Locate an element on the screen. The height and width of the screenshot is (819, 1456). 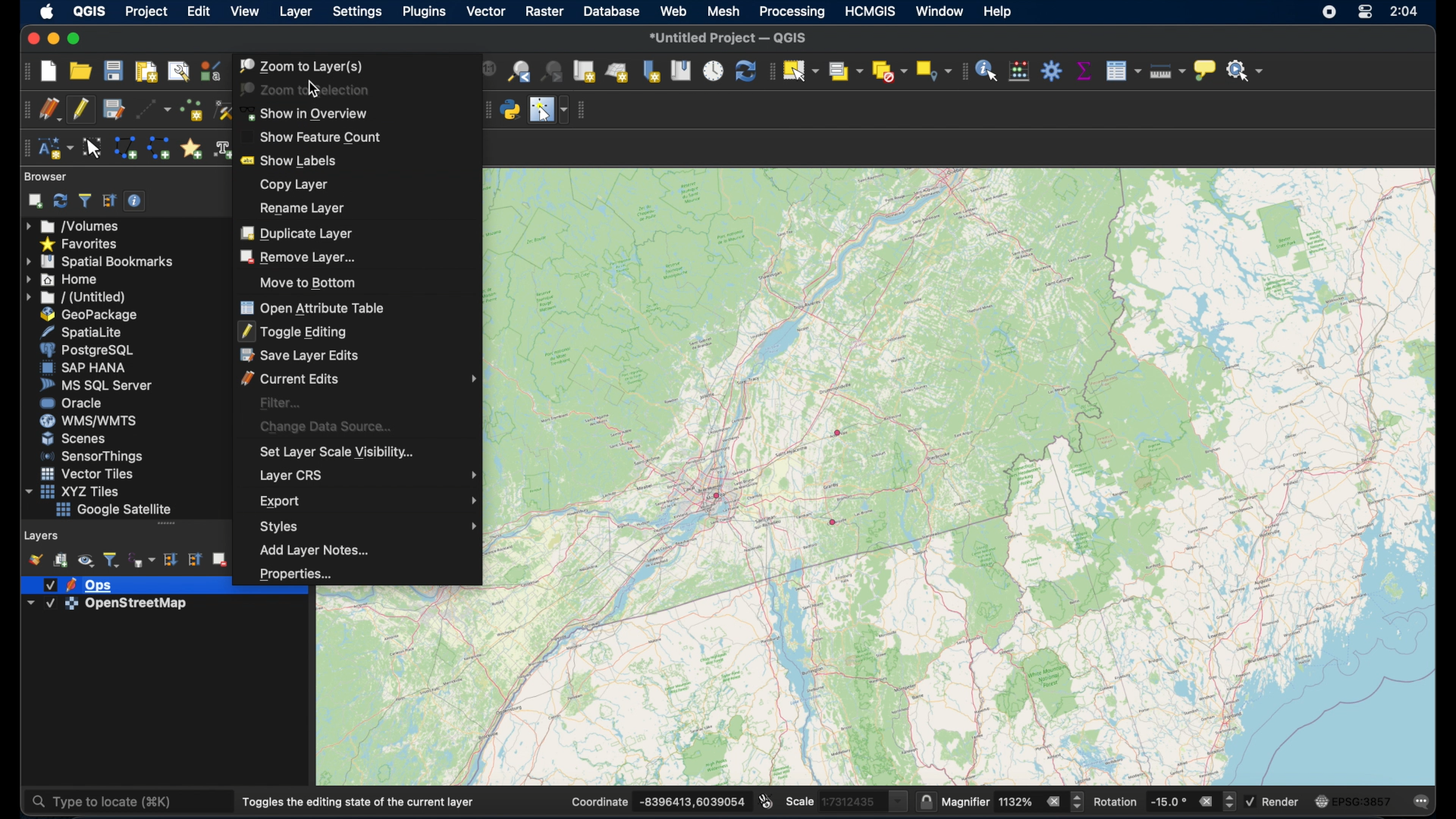
new annotation layer is located at coordinates (58, 147).